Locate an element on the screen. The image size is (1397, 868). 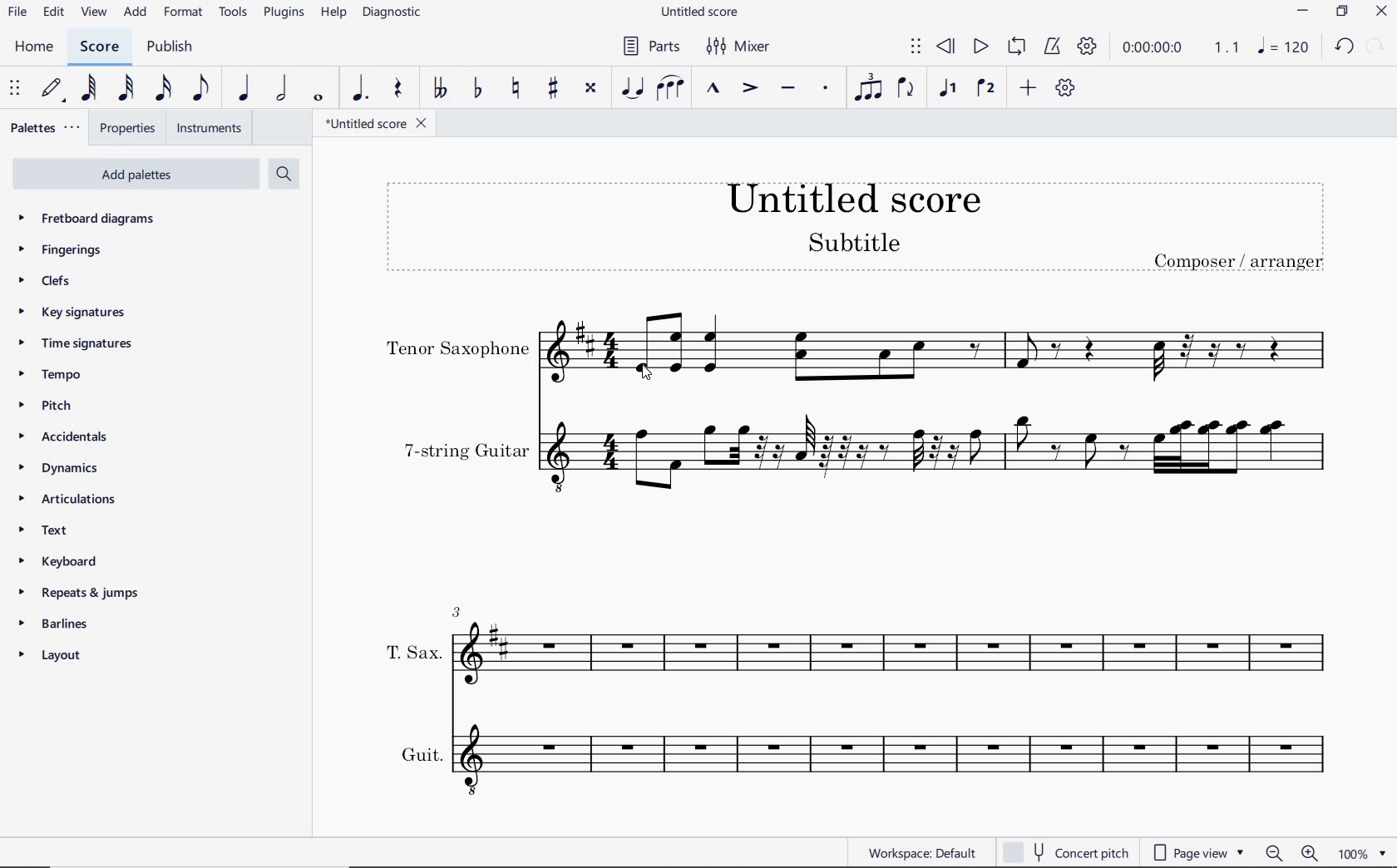
MINIMIZE is located at coordinates (1306, 11).